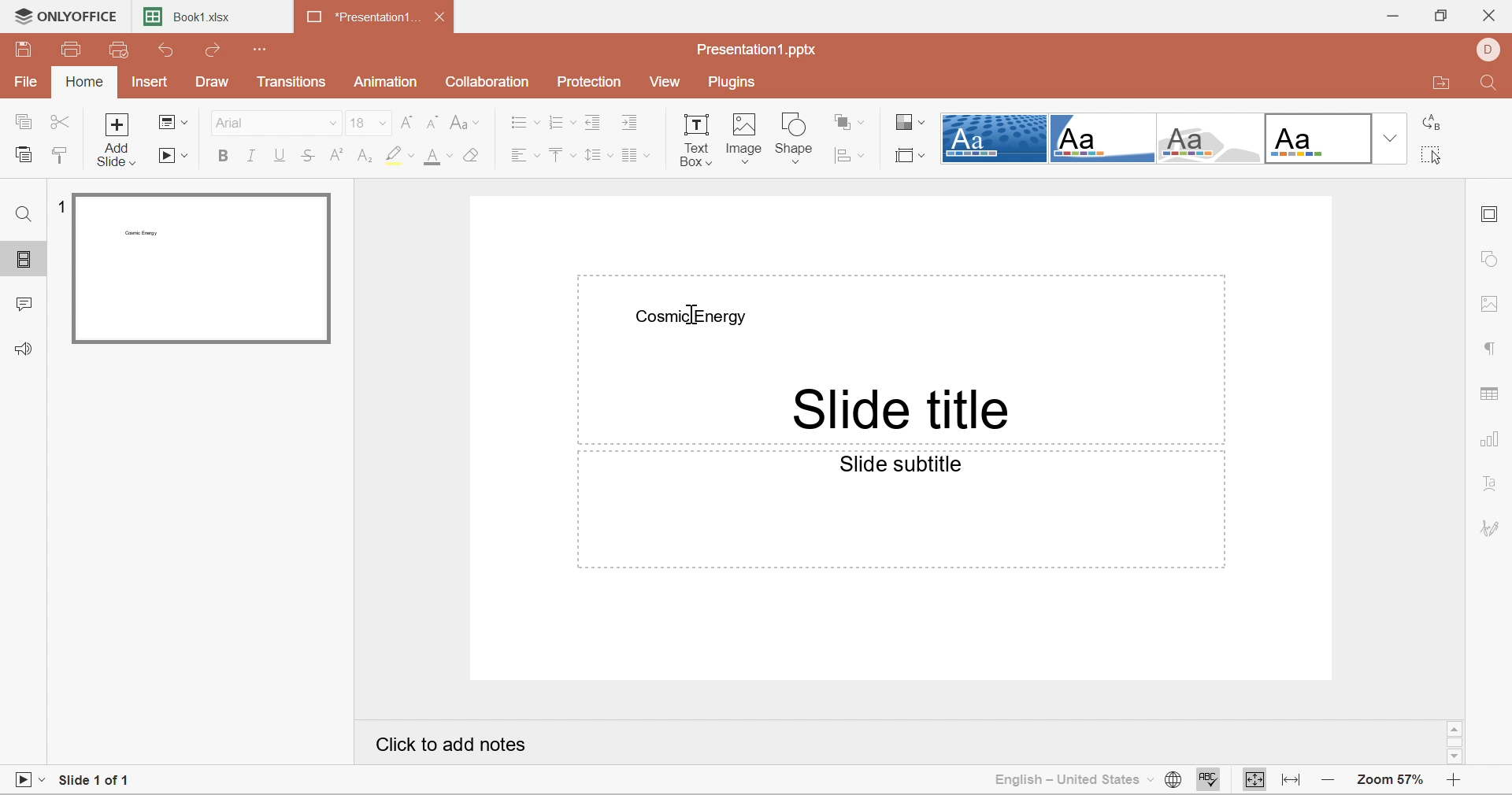 Image resolution: width=1512 pixels, height=795 pixels. What do you see at coordinates (901, 409) in the screenshot?
I see `Slide title` at bounding box center [901, 409].